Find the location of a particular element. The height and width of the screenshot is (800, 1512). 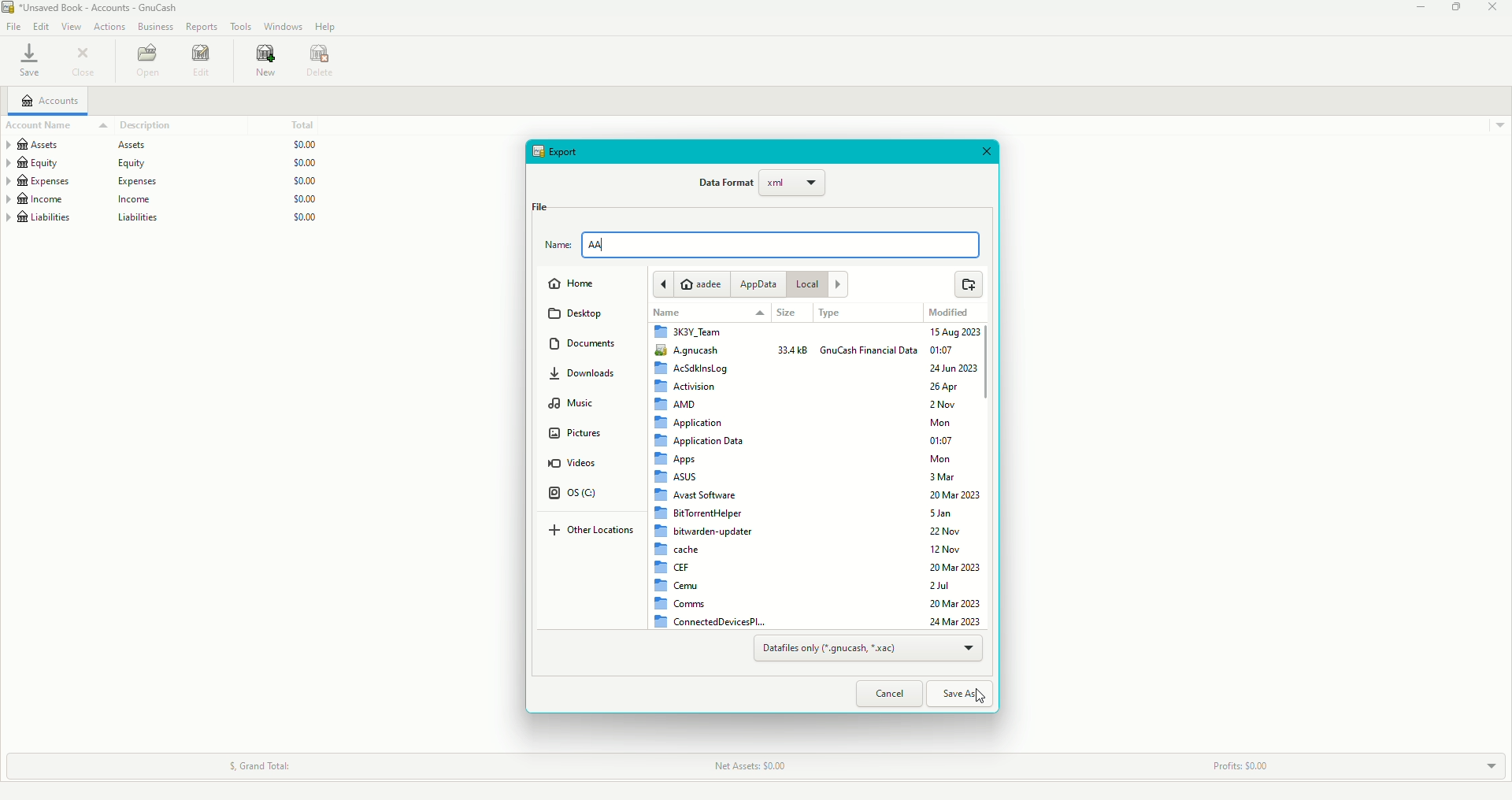

Close is located at coordinates (84, 61).